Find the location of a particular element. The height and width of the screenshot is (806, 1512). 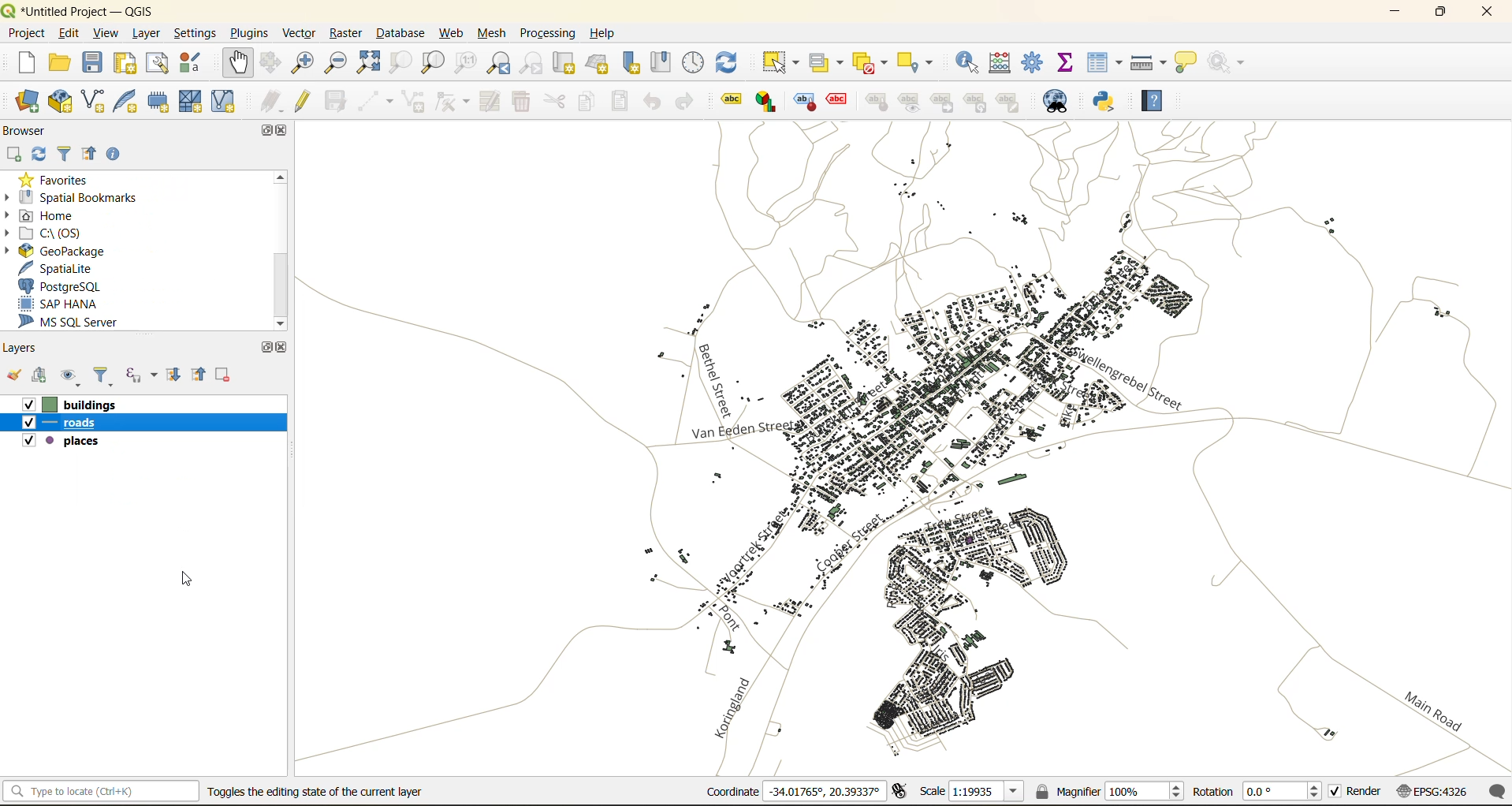

collapse all is located at coordinates (90, 155).